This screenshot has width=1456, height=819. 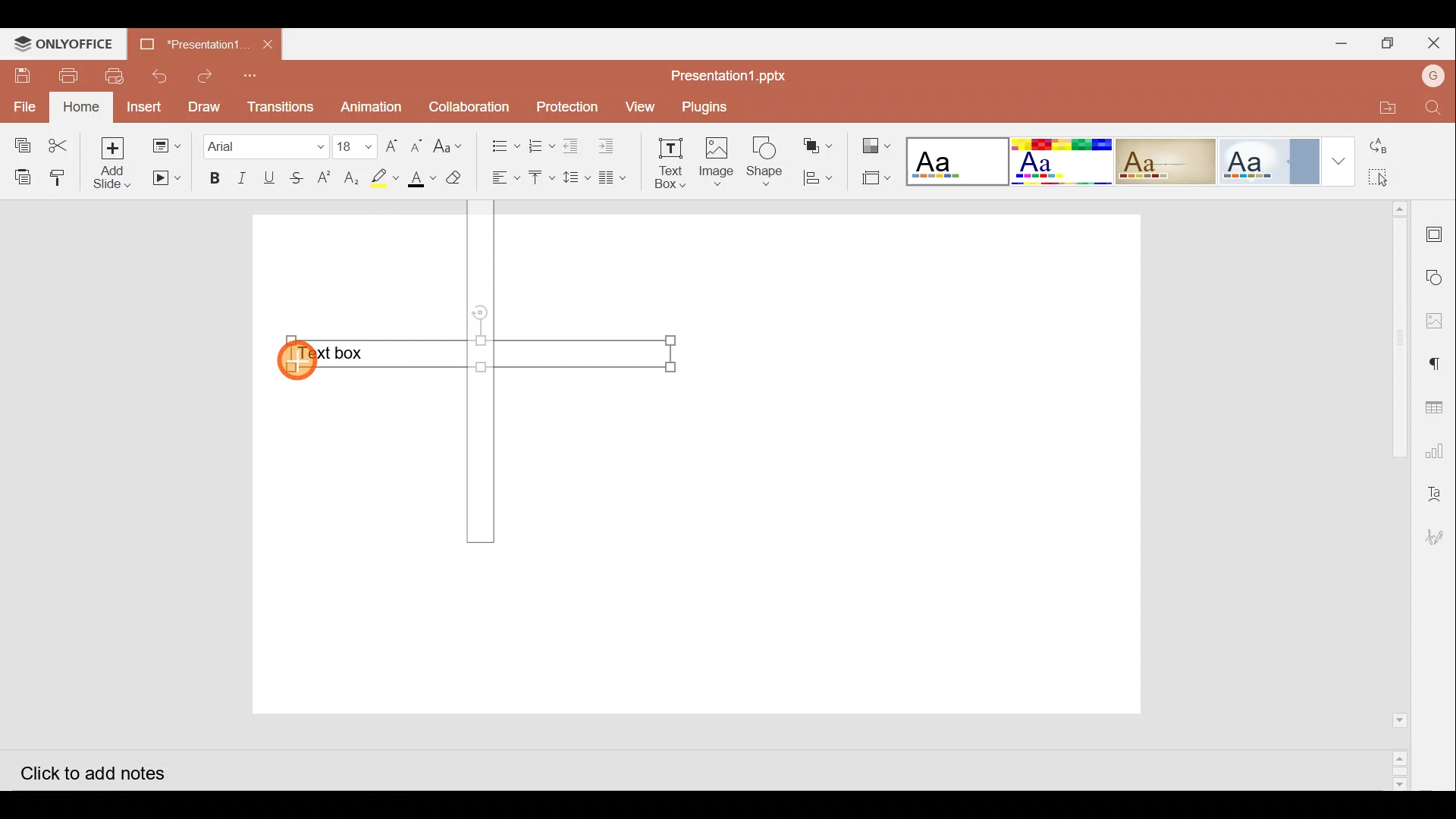 What do you see at coordinates (875, 145) in the screenshot?
I see `Change color theme` at bounding box center [875, 145].